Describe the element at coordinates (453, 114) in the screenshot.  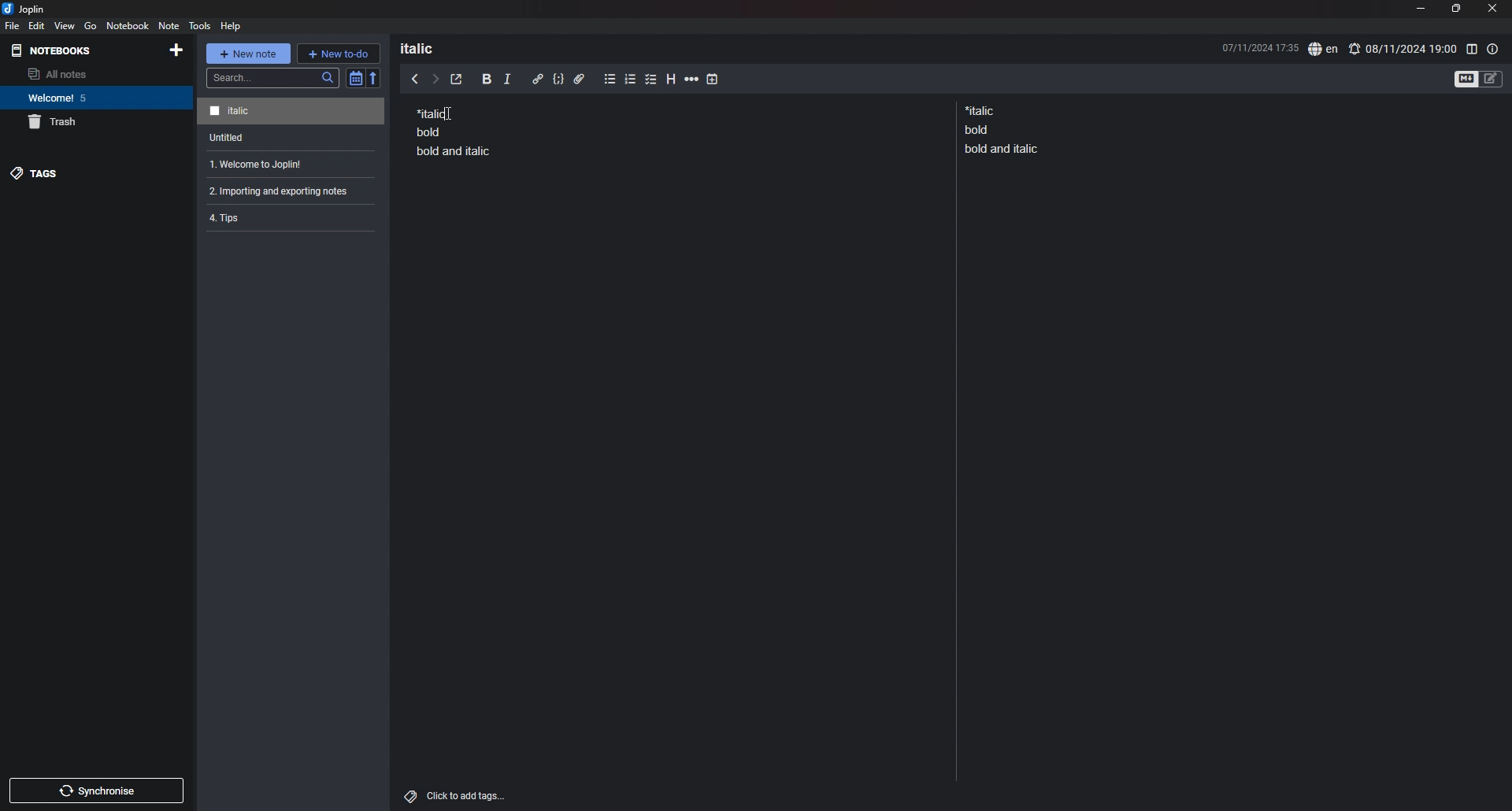
I see `Cursor` at that location.